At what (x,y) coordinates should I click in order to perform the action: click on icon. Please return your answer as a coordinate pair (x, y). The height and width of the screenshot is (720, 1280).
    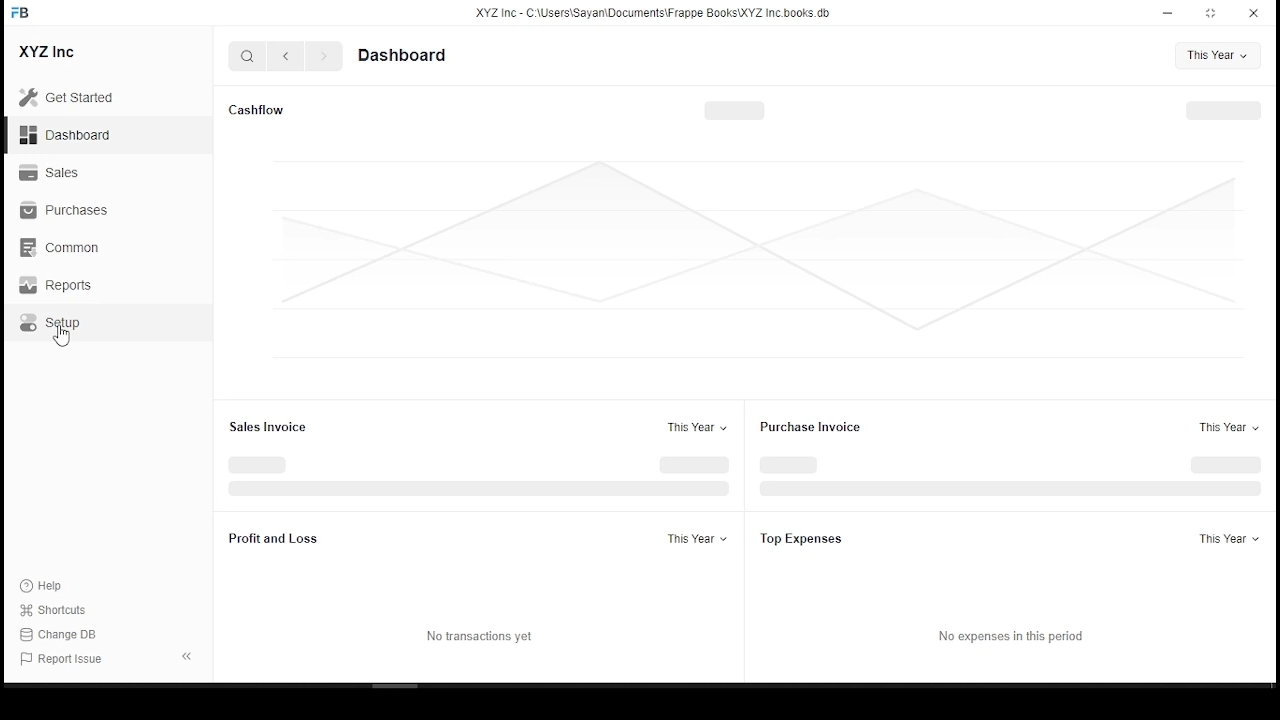
    Looking at the image, I should click on (27, 17).